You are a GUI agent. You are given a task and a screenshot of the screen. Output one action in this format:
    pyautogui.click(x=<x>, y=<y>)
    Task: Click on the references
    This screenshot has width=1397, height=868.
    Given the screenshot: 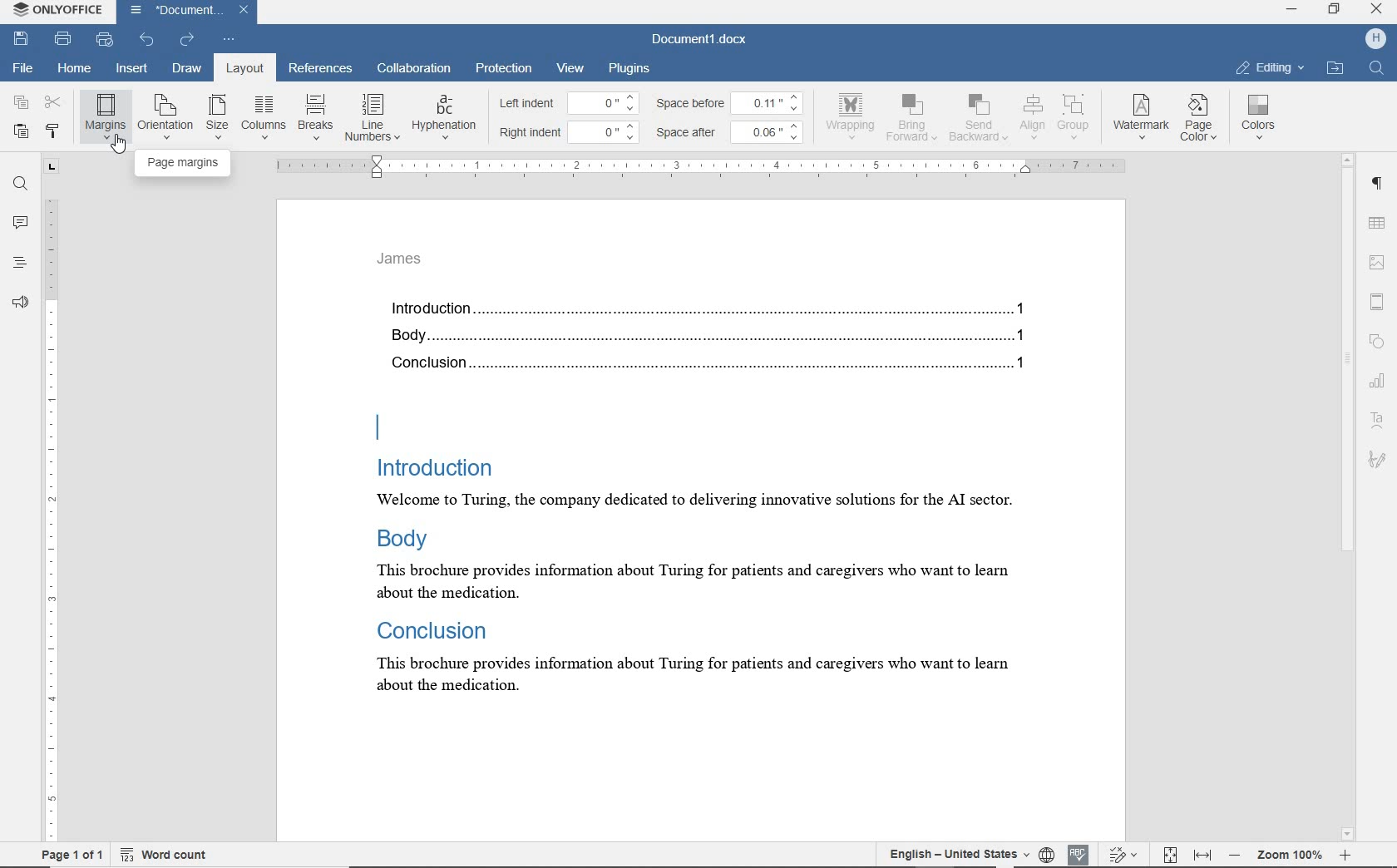 What is the action you would take?
    pyautogui.click(x=321, y=70)
    